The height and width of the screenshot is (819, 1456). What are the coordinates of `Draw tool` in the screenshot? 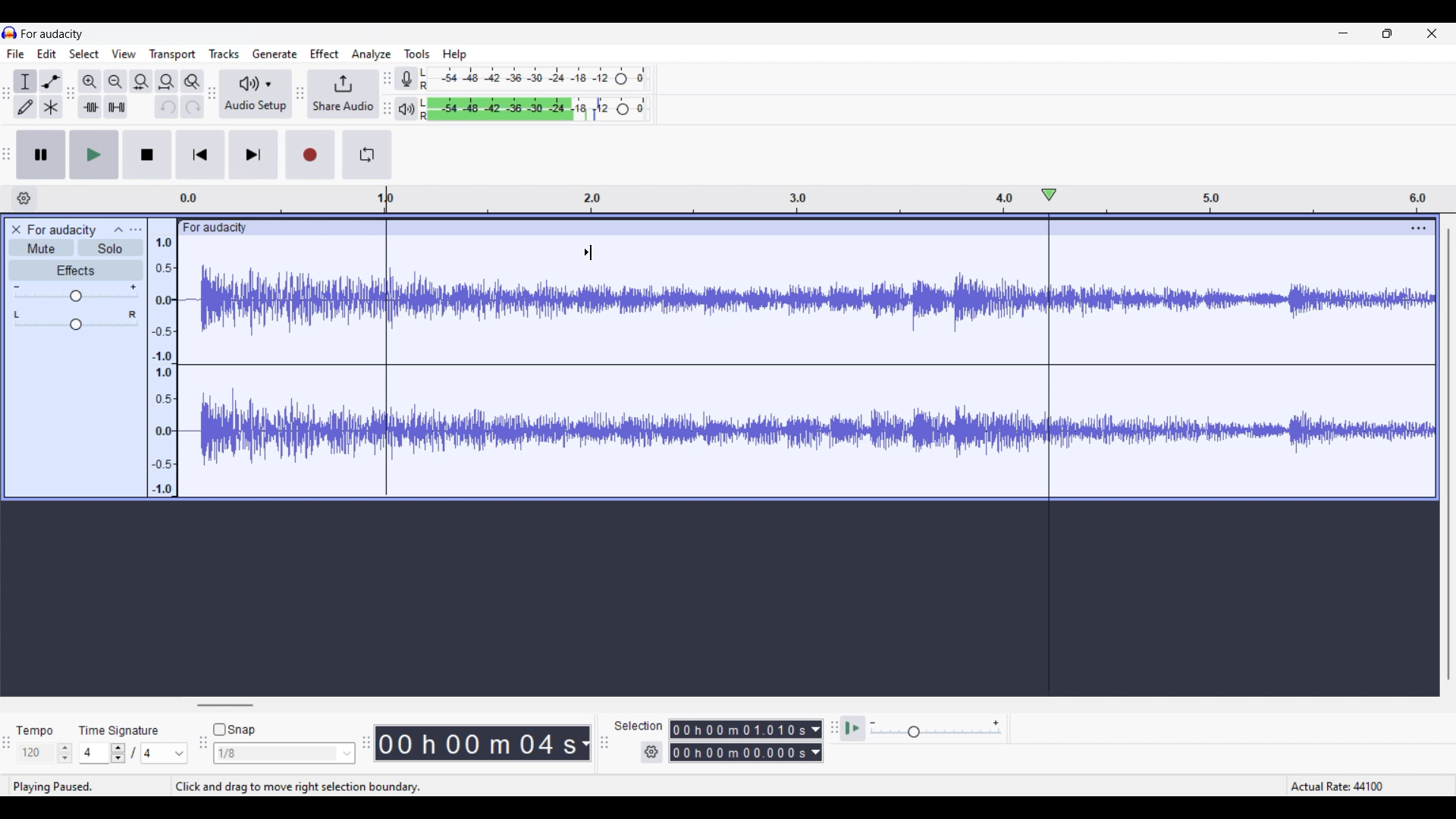 It's located at (26, 107).